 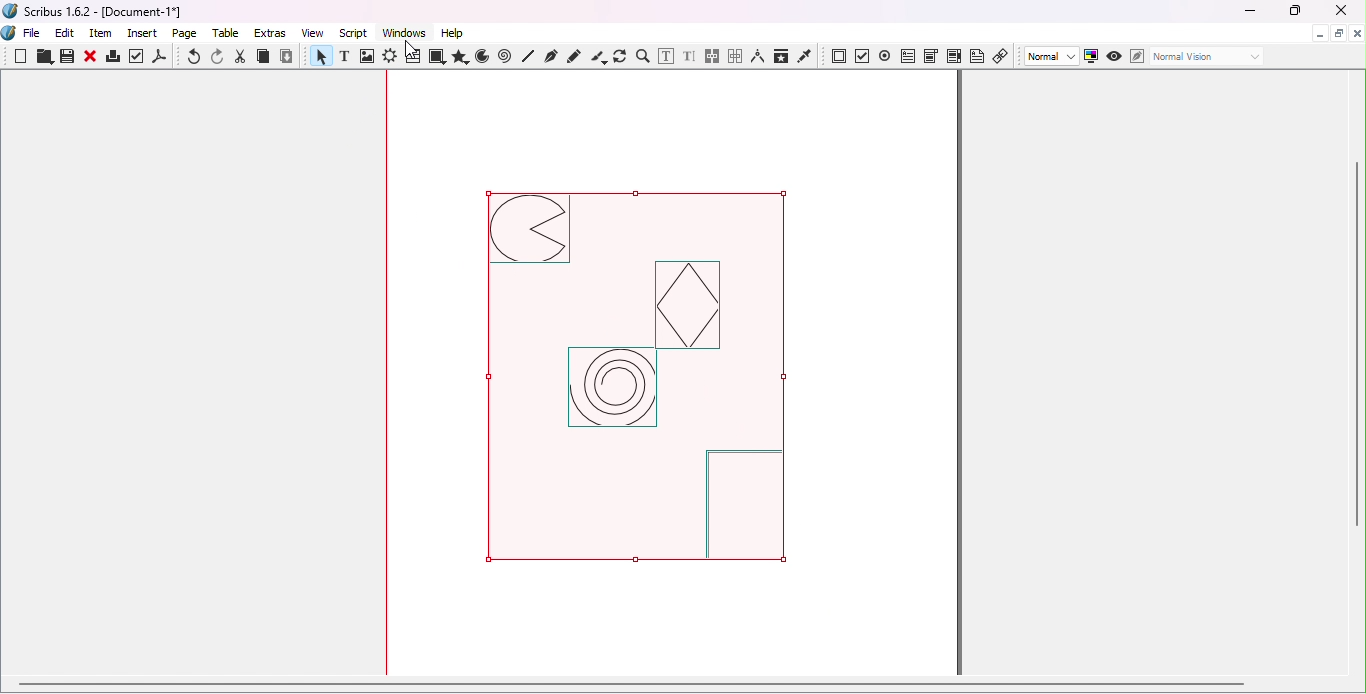 I want to click on Spiral, so click(x=507, y=57).